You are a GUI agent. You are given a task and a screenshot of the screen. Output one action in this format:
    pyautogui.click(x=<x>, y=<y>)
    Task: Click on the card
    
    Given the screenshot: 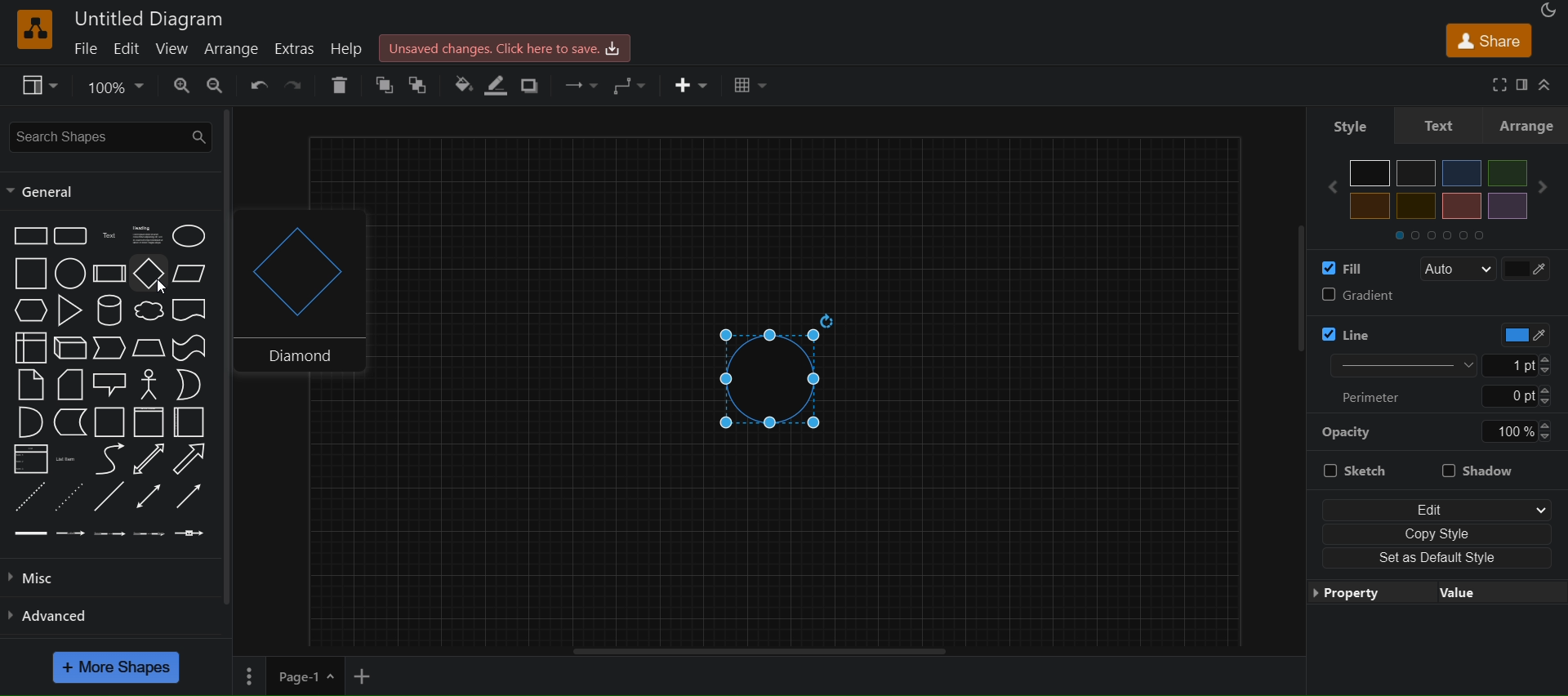 What is the action you would take?
    pyautogui.click(x=70, y=386)
    